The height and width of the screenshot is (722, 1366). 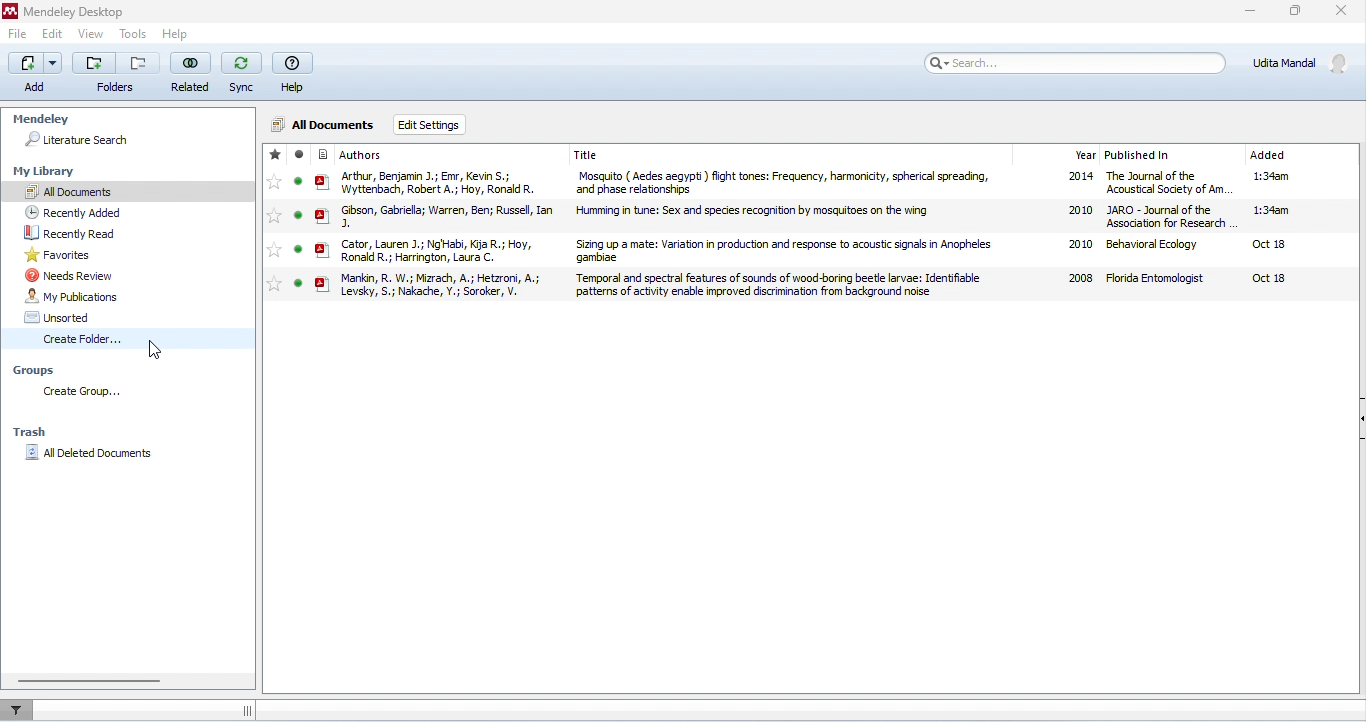 What do you see at coordinates (437, 182) in the screenshot?
I see `Arthur, Benjamin J. Emr, Kevin S. Wyttenbach, Robert A. Hoy, Ronald R.` at bounding box center [437, 182].